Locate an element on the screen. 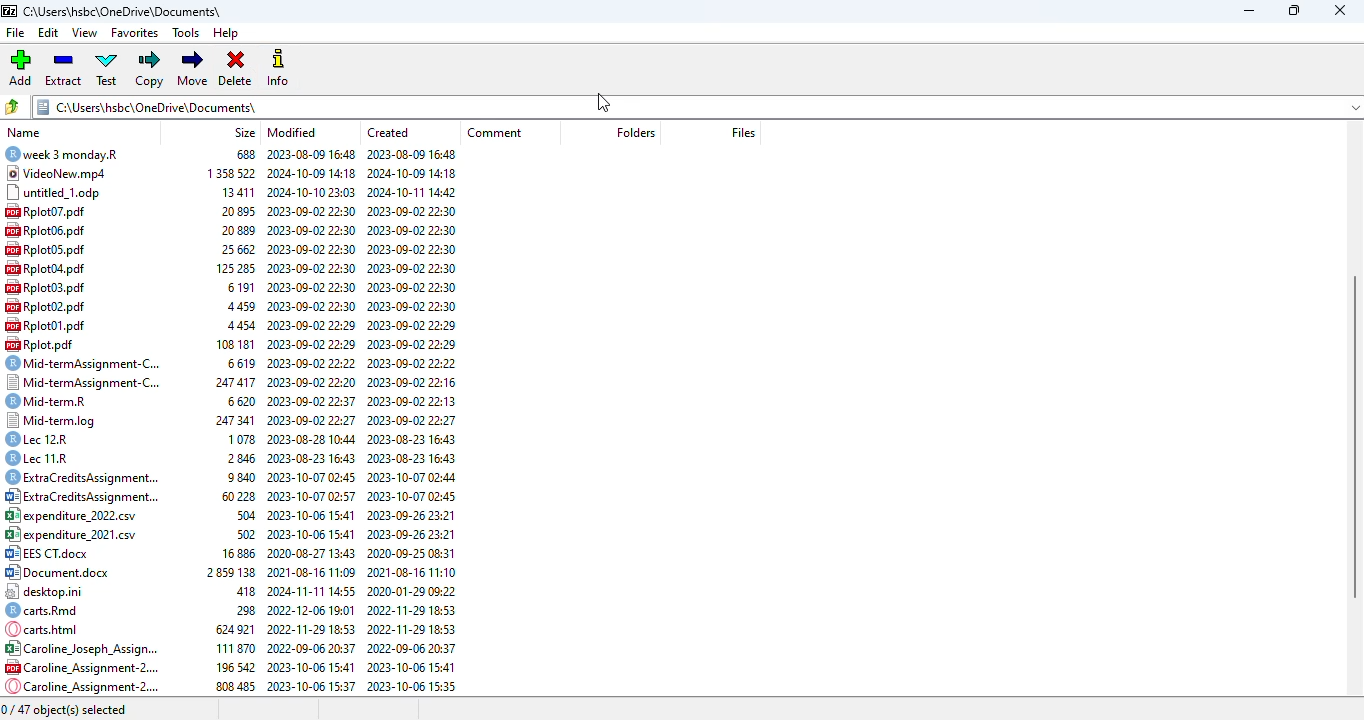  modified is located at coordinates (292, 132).